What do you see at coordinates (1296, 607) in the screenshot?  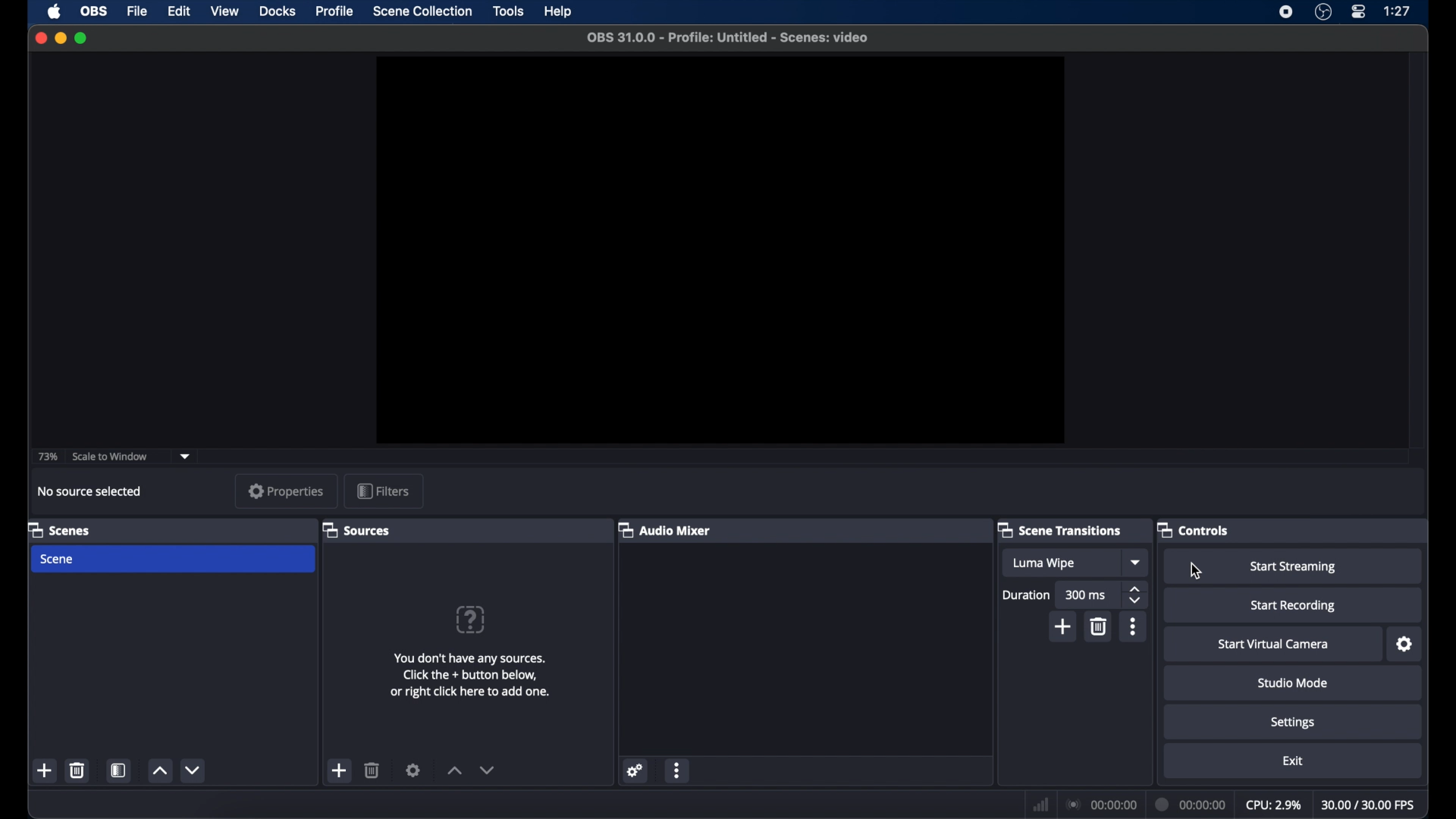 I see `start recording` at bounding box center [1296, 607].